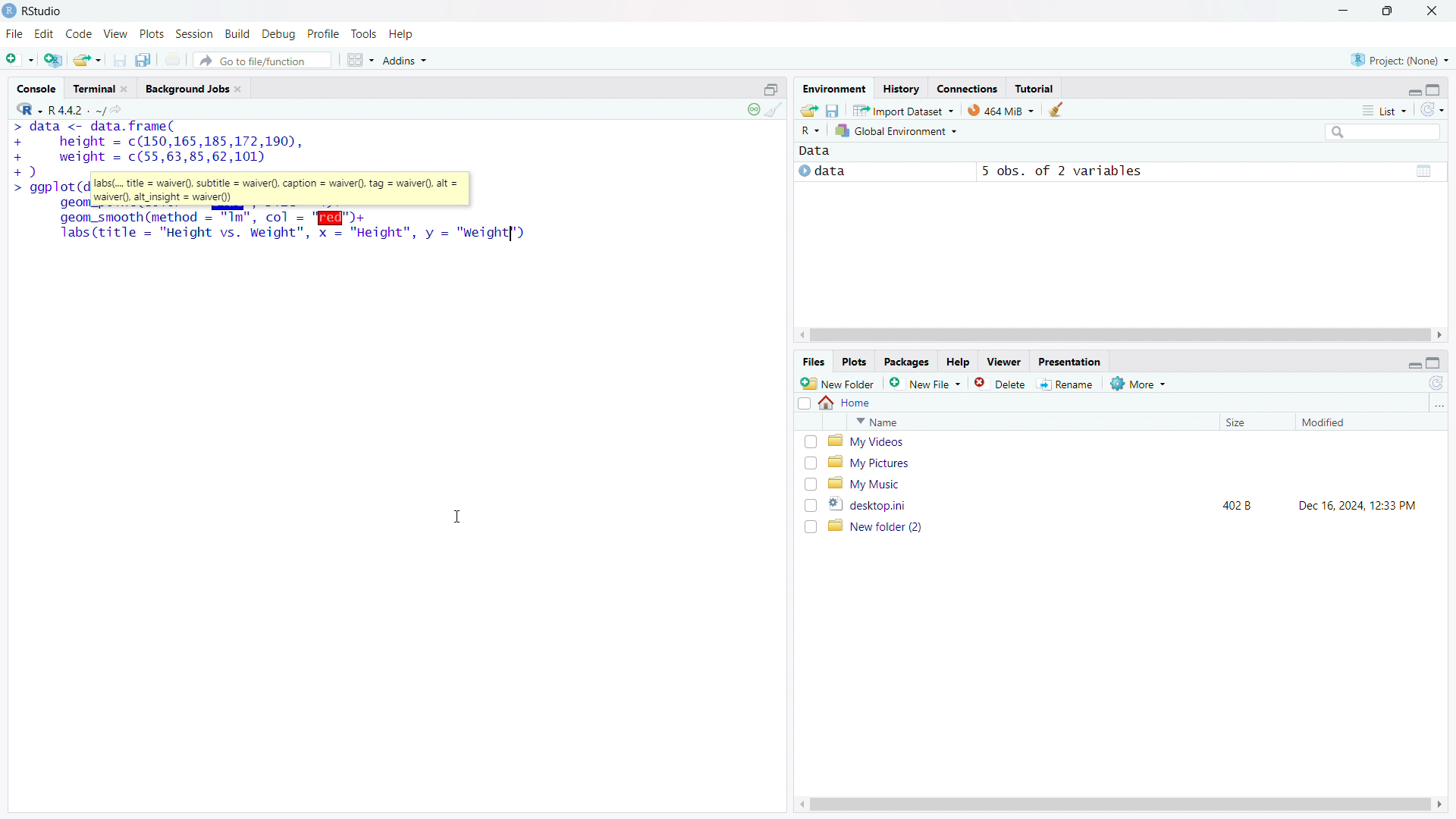 The image size is (1456, 819). Describe the element at coordinates (810, 485) in the screenshot. I see `select individual entries` at that location.